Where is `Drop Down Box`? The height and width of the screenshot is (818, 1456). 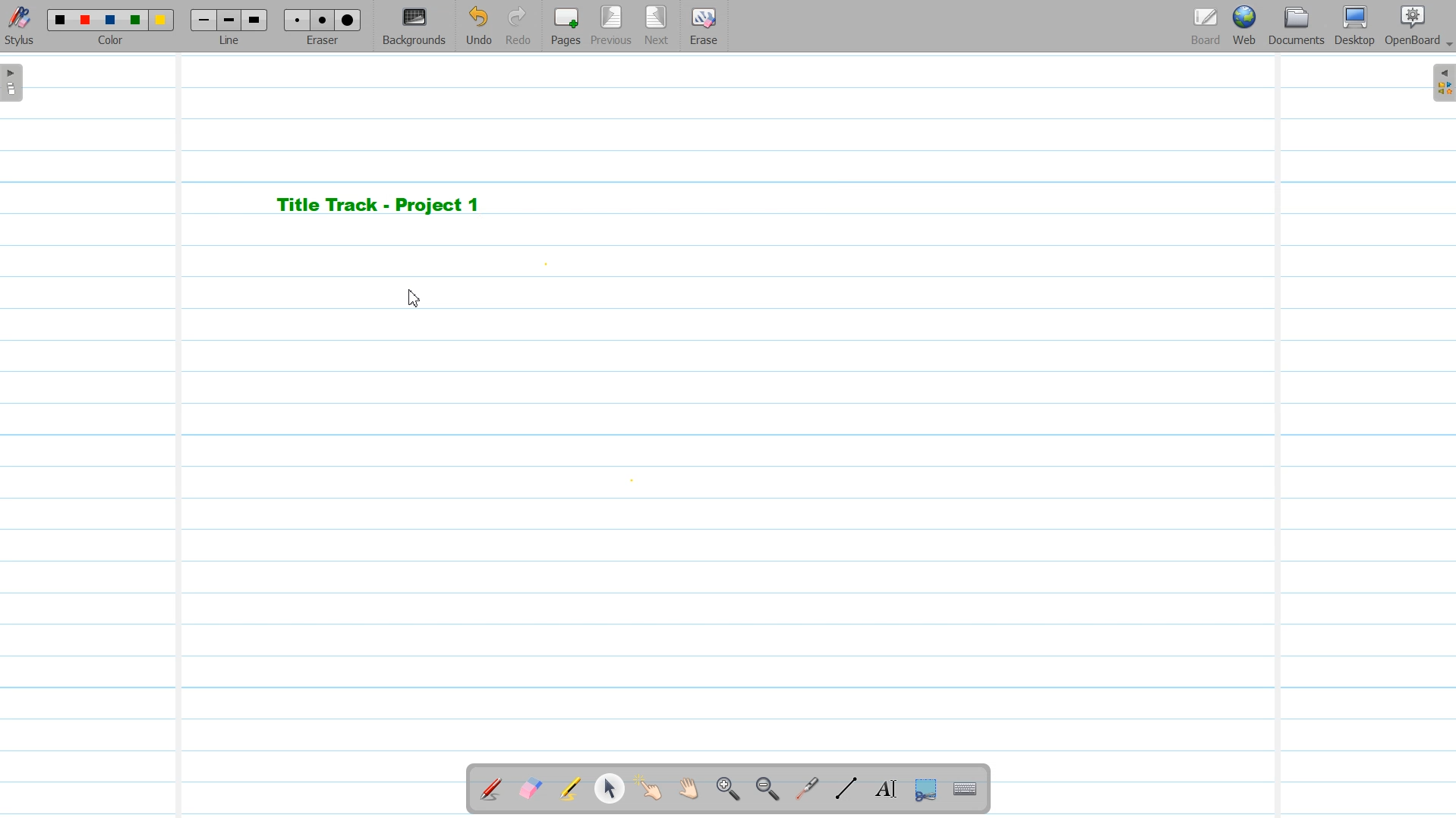
Drop Down Box is located at coordinates (1447, 45).